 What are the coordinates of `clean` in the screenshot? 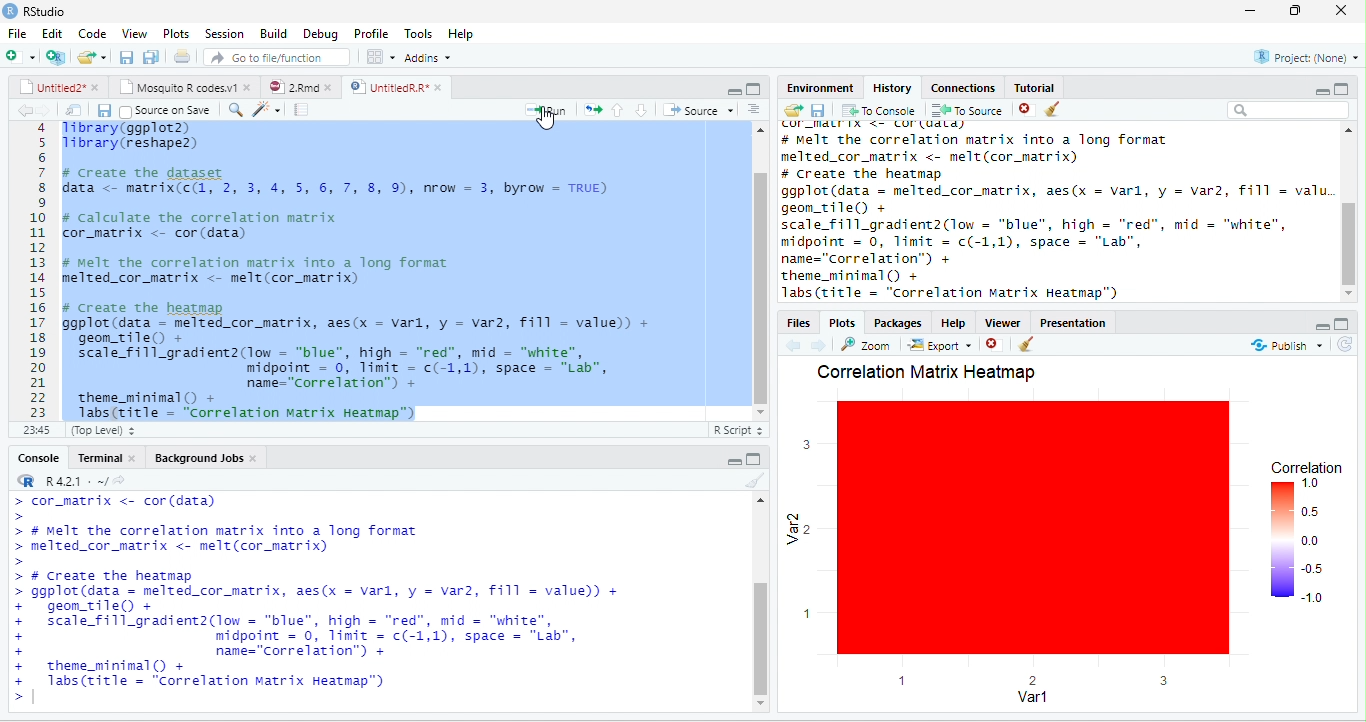 It's located at (1066, 111).